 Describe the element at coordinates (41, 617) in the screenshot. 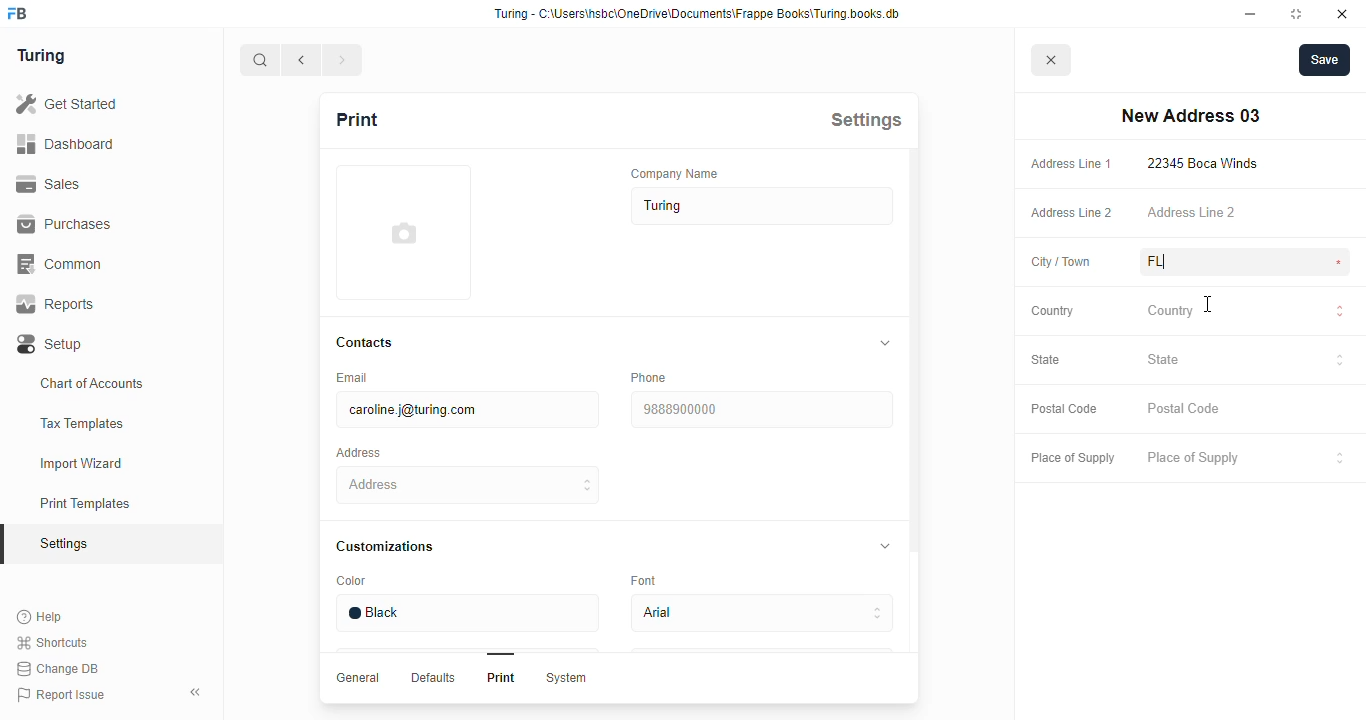

I see `help` at that location.